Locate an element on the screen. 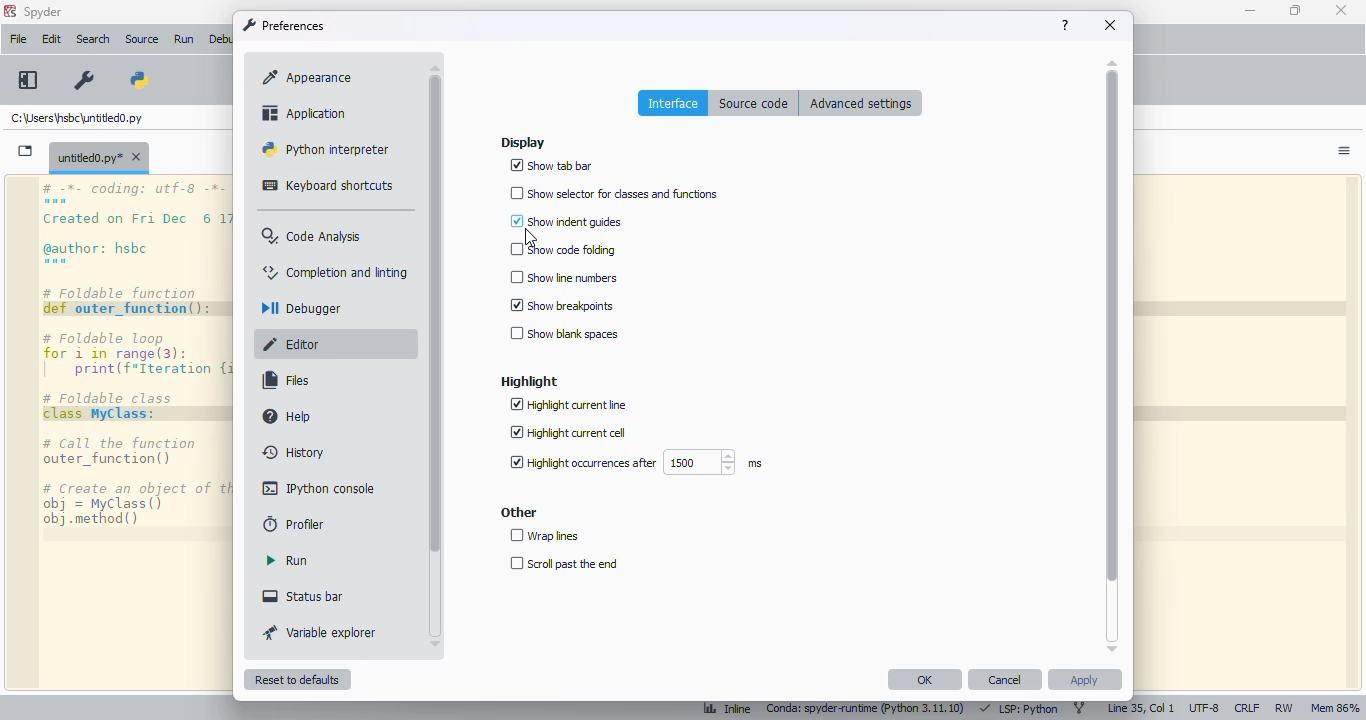 This screenshot has width=1366, height=720. CRLF is located at coordinates (1246, 707).